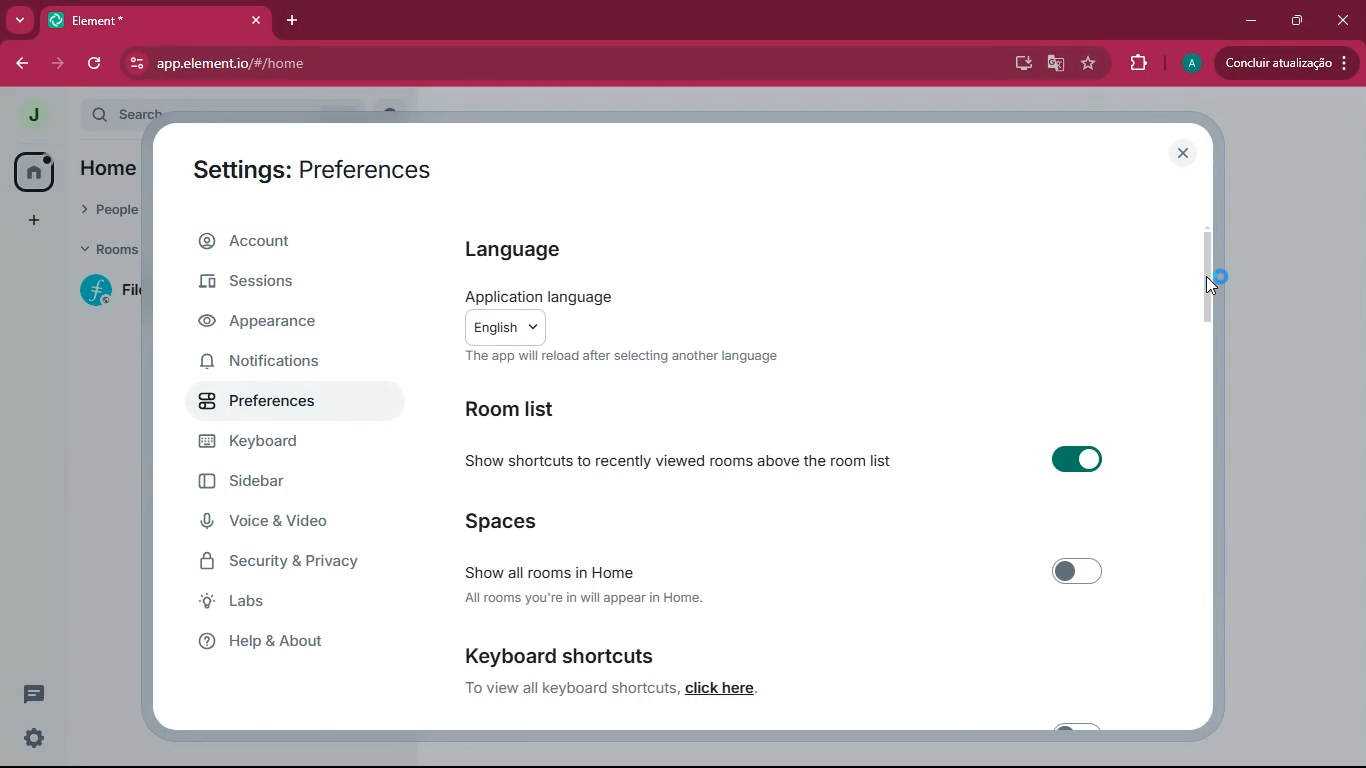 This screenshot has width=1366, height=768. Describe the element at coordinates (528, 243) in the screenshot. I see `language` at that location.